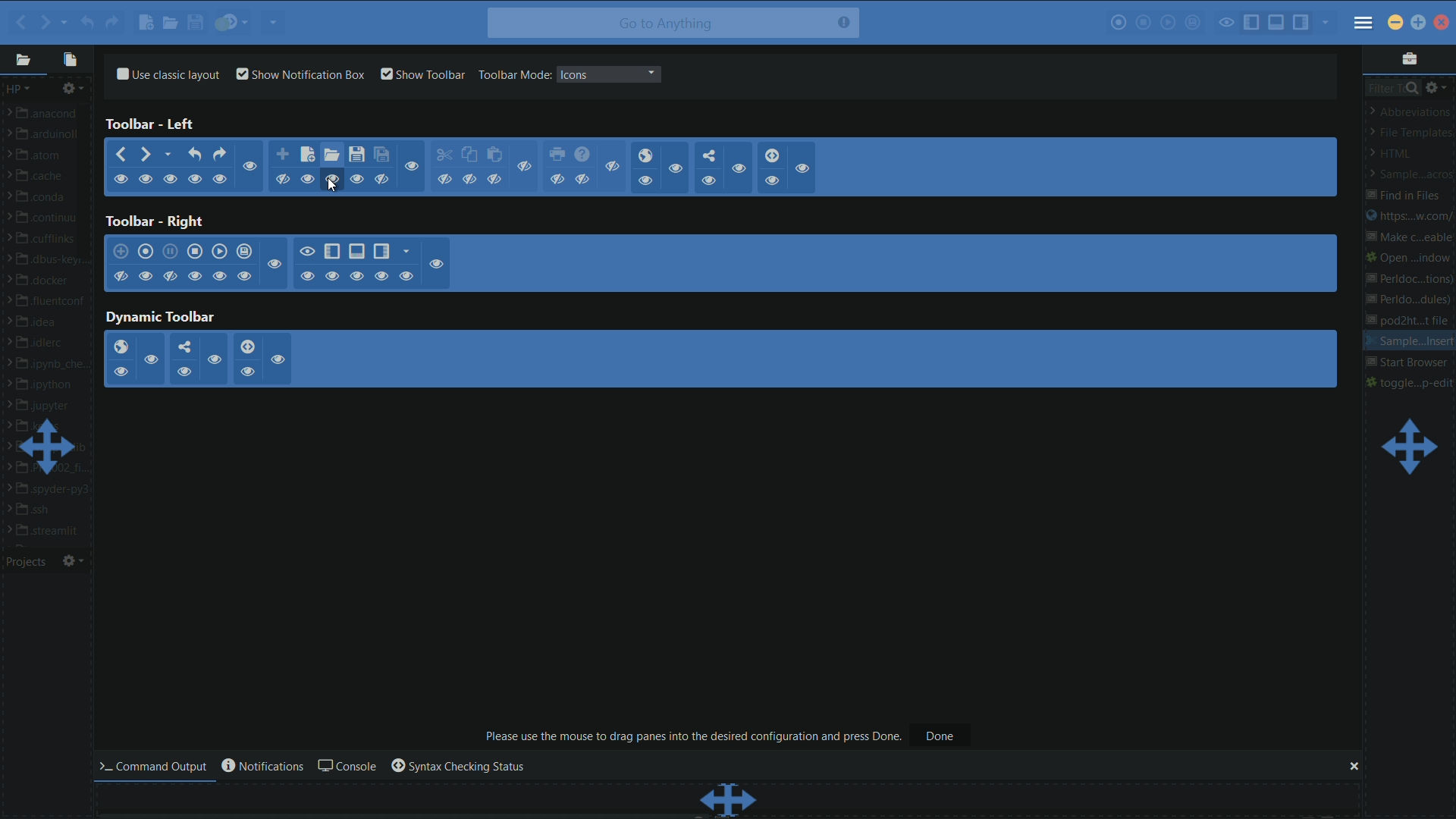 The width and height of the screenshot is (1456, 819). I want to click on open file, so click(169, 24).